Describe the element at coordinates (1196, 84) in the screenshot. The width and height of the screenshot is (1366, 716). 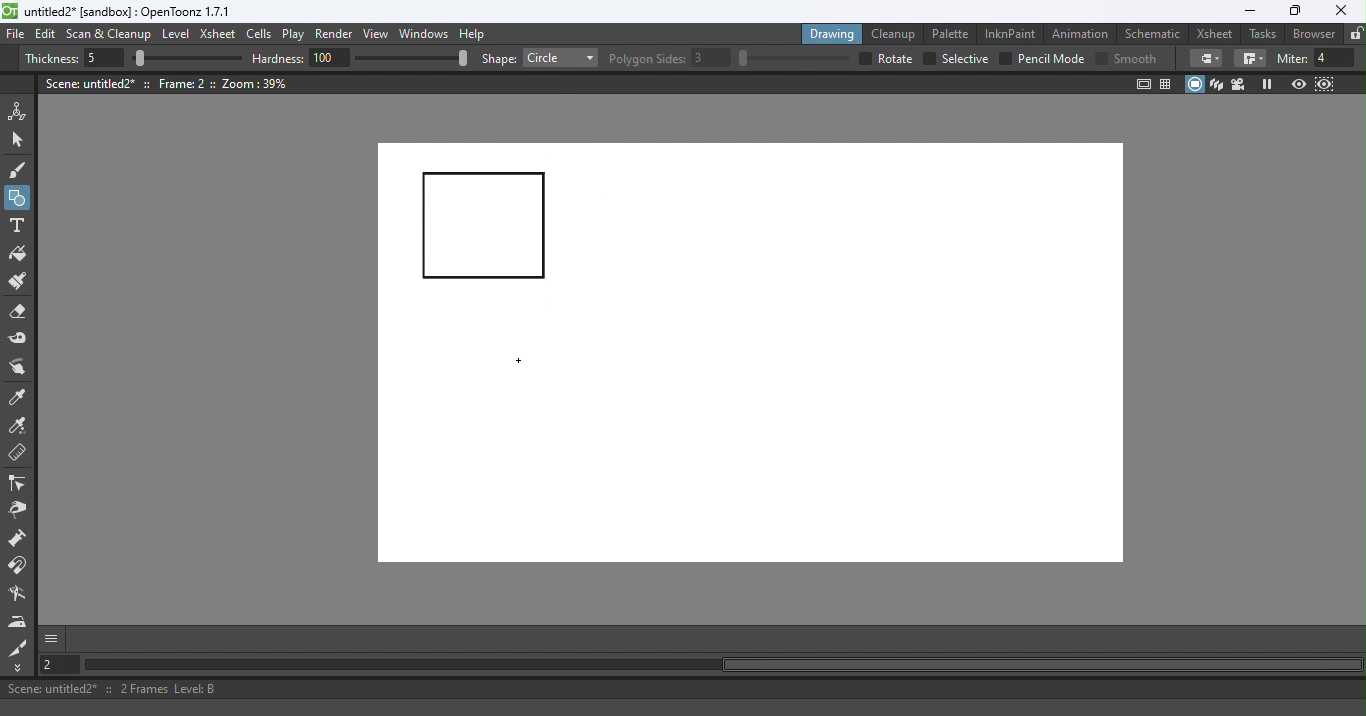
I see `Camera stand view` at that location.